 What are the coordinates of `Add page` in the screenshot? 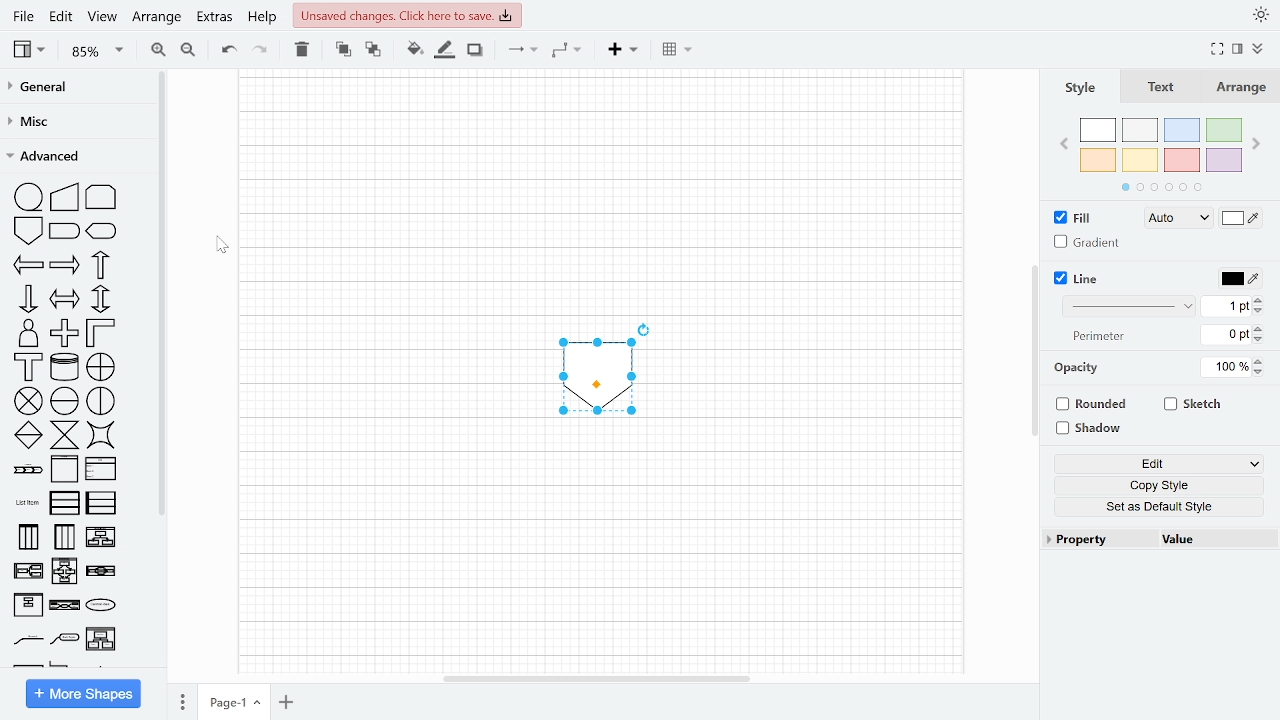 It's located at (288, 701).